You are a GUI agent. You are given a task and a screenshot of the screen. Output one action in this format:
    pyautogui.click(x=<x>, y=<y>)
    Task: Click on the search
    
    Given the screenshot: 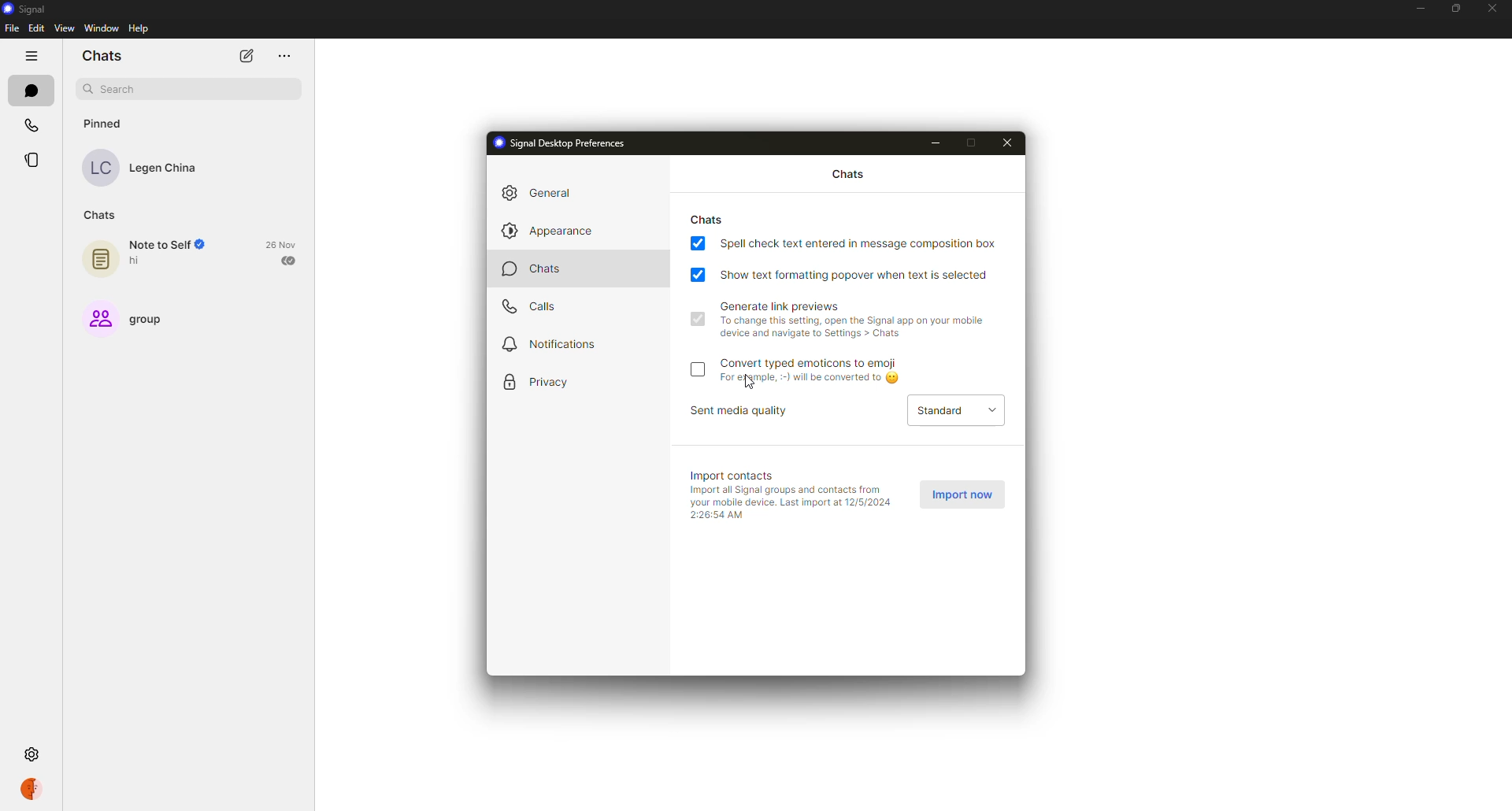 What is the action you would take?
    pyautogui.click(x=113, y=88)
    